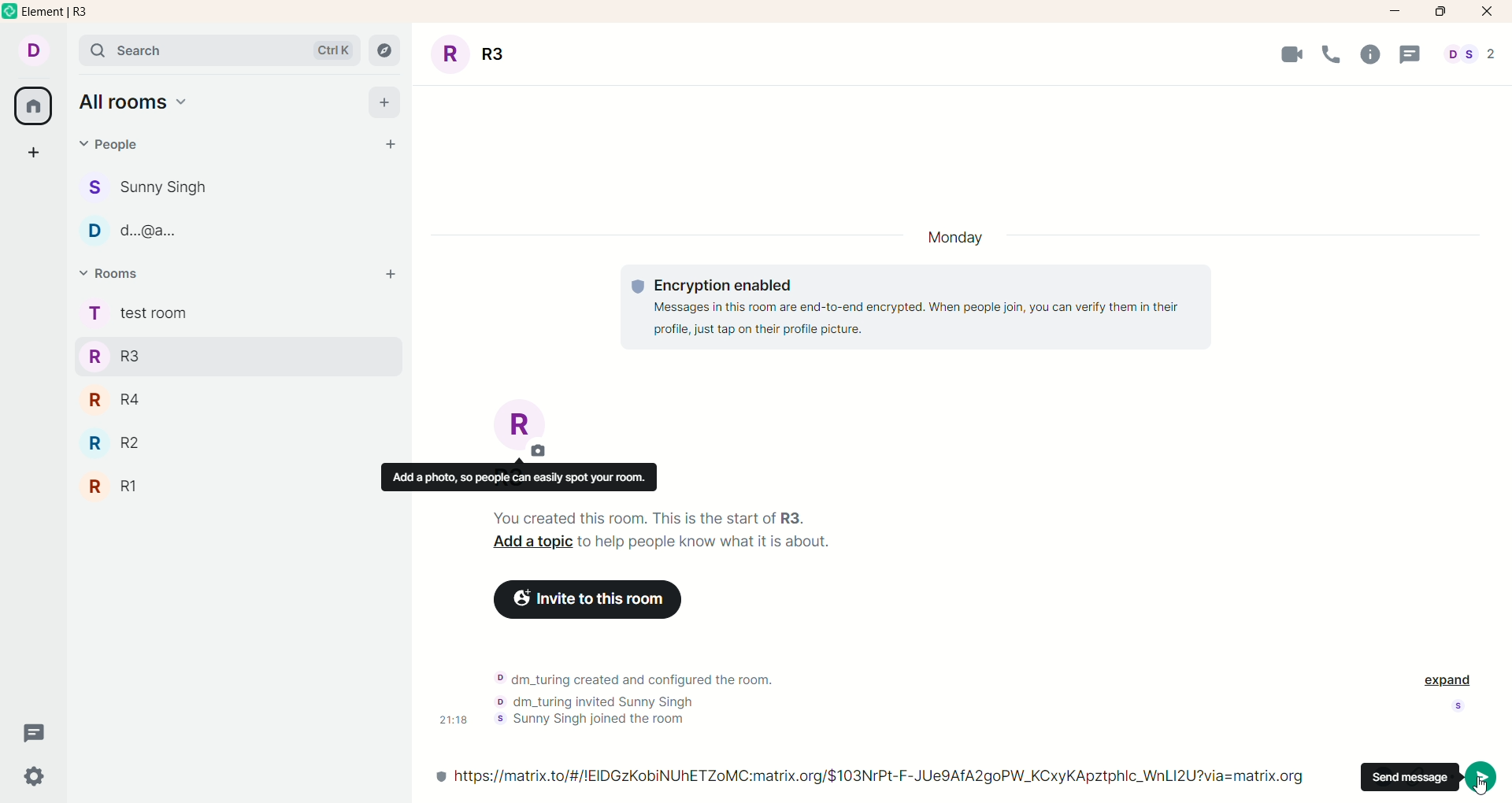 The height and width of the screenshot is (803, 1512). I want to click on R2, so click(123, 445).